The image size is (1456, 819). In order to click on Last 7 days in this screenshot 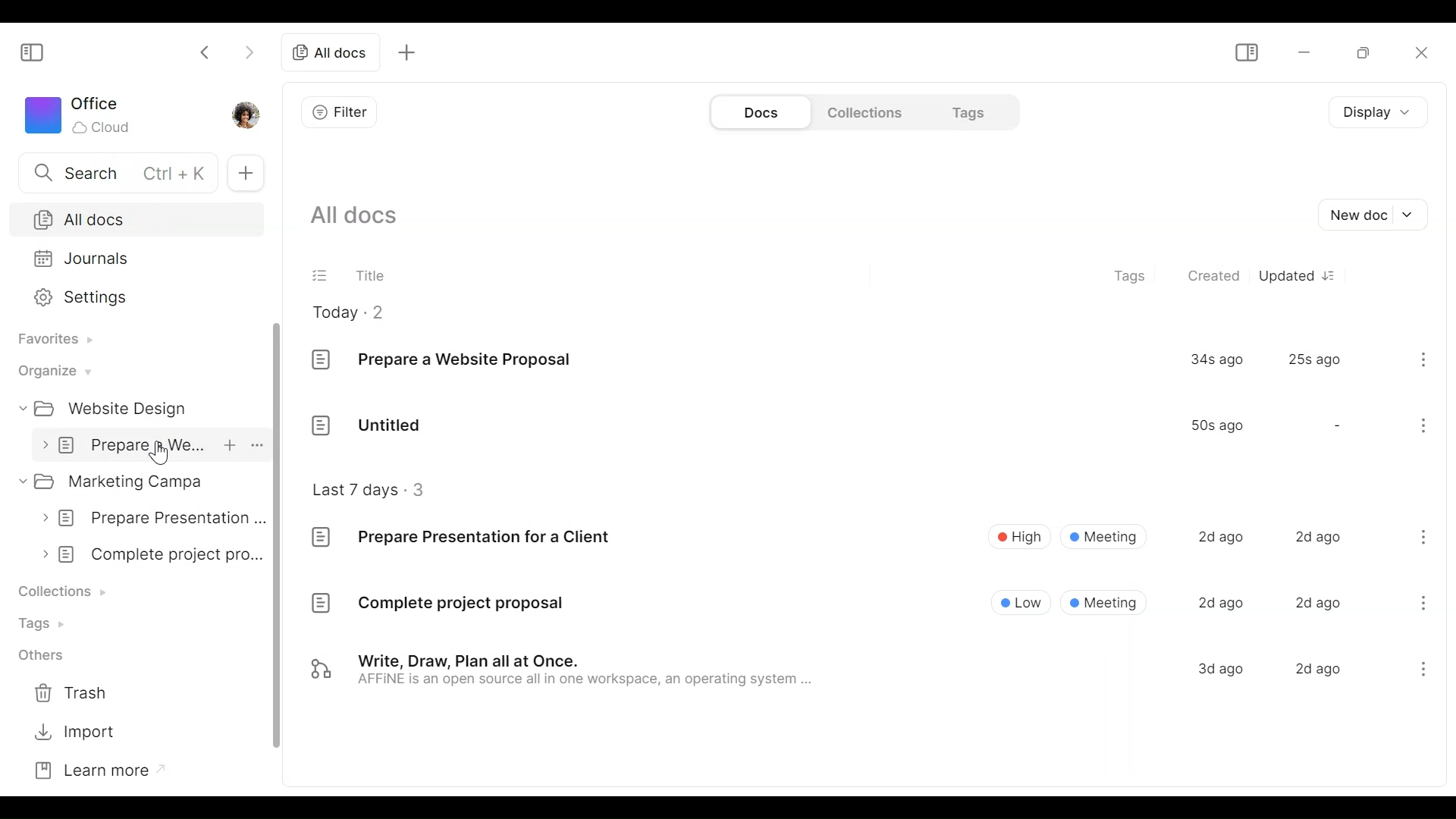, I will do `click(370, 490)`.